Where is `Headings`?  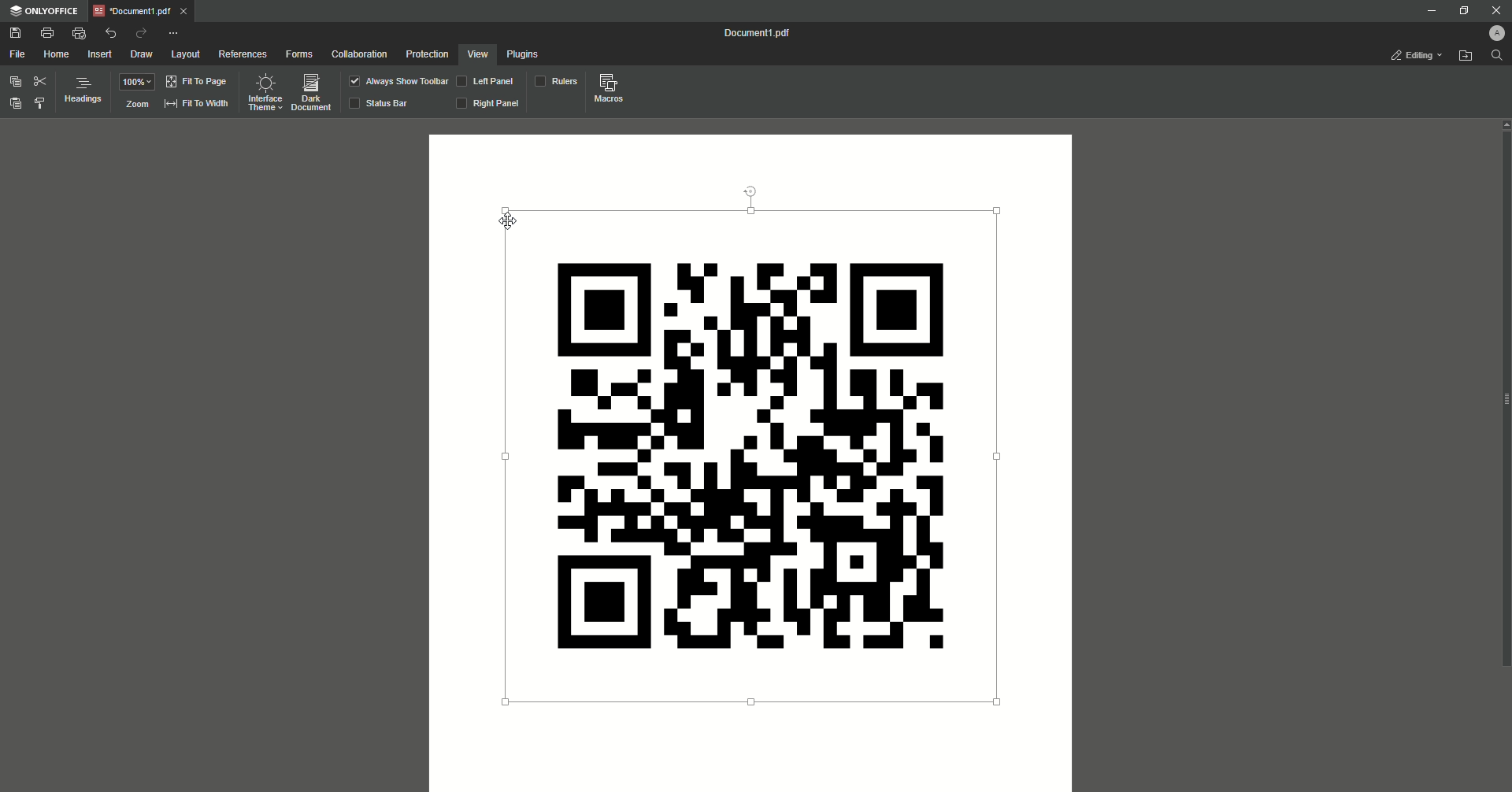 Headings is located at coordinates (83, 91).